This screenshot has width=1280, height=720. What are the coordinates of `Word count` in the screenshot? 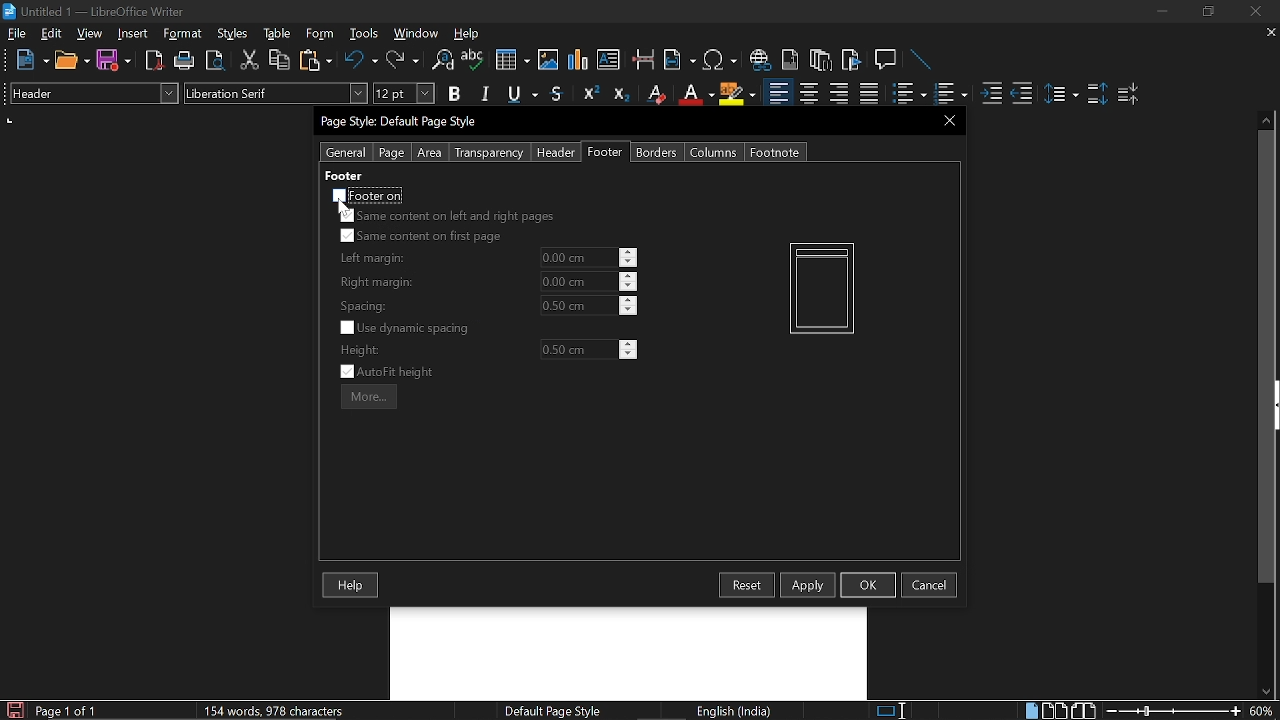 It's located at (295, 710).